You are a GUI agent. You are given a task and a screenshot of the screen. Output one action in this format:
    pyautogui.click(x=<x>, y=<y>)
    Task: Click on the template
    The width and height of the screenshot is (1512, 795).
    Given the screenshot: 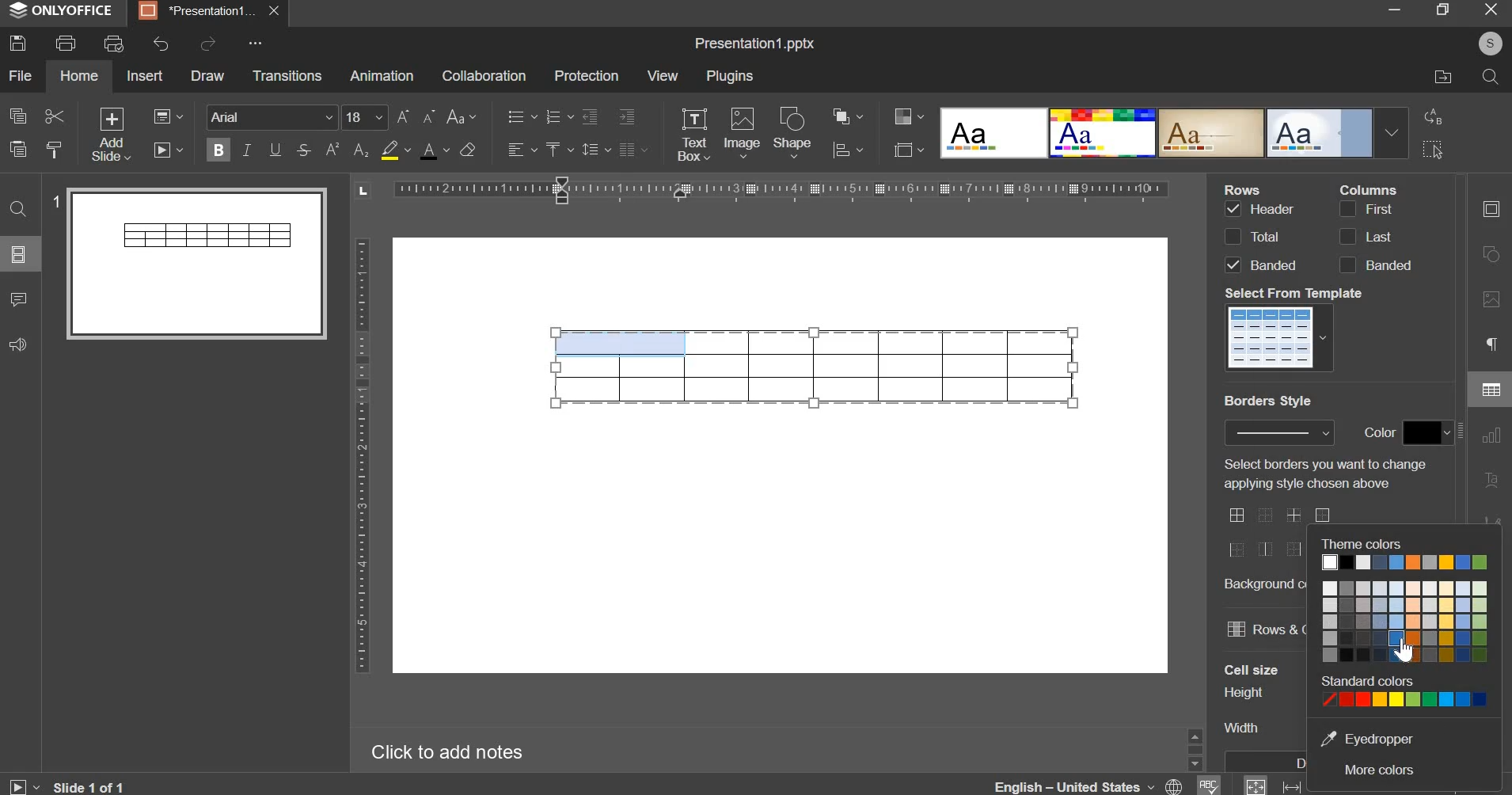 What is the action you would take?
    pyautogui.click(x=1282, y=337)
    